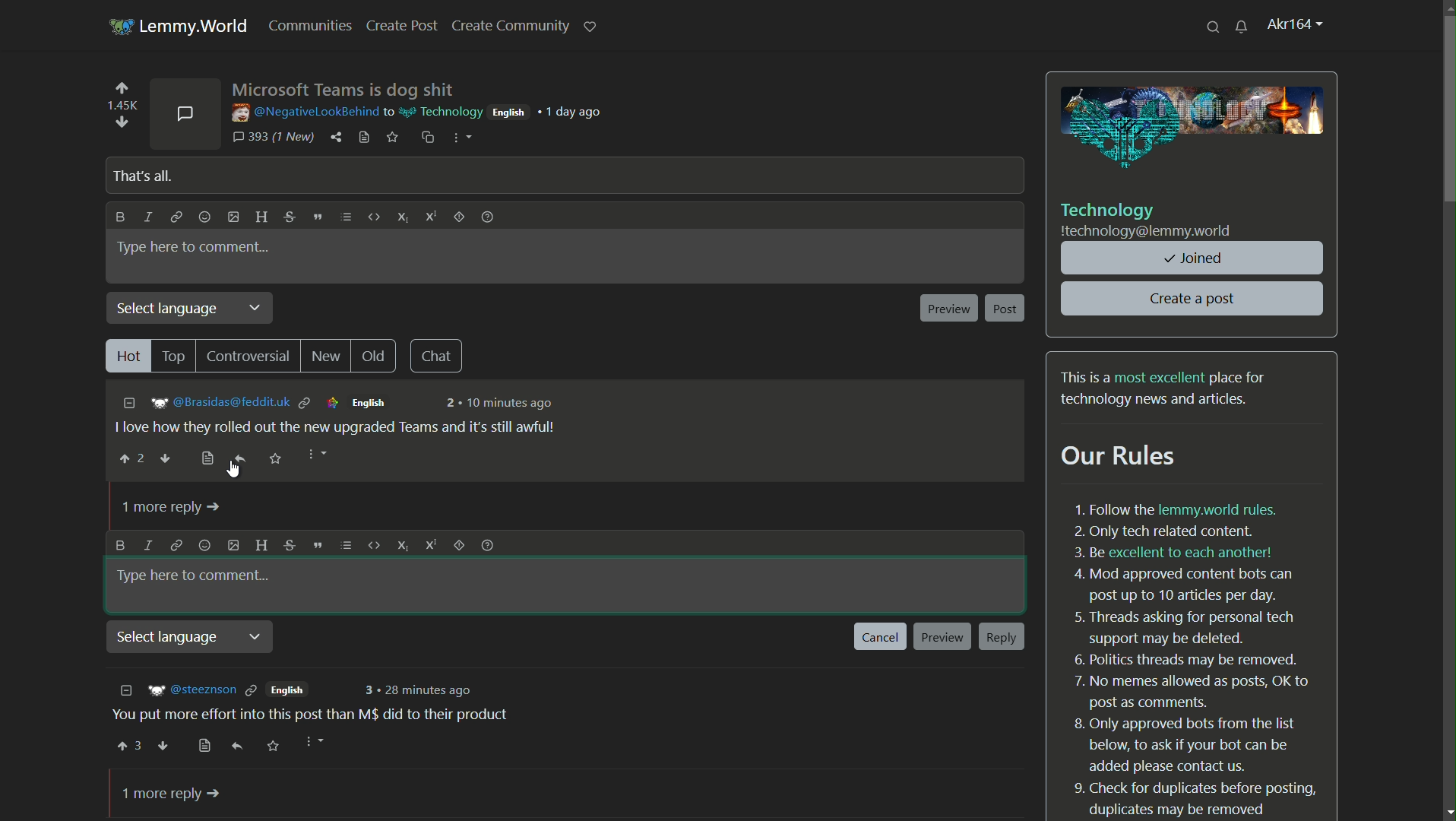 The height and width of the screenshot is (821, 1456). Describe the element at coordinates (486, 219) in the screenshot. I see `formatting help` at that location.